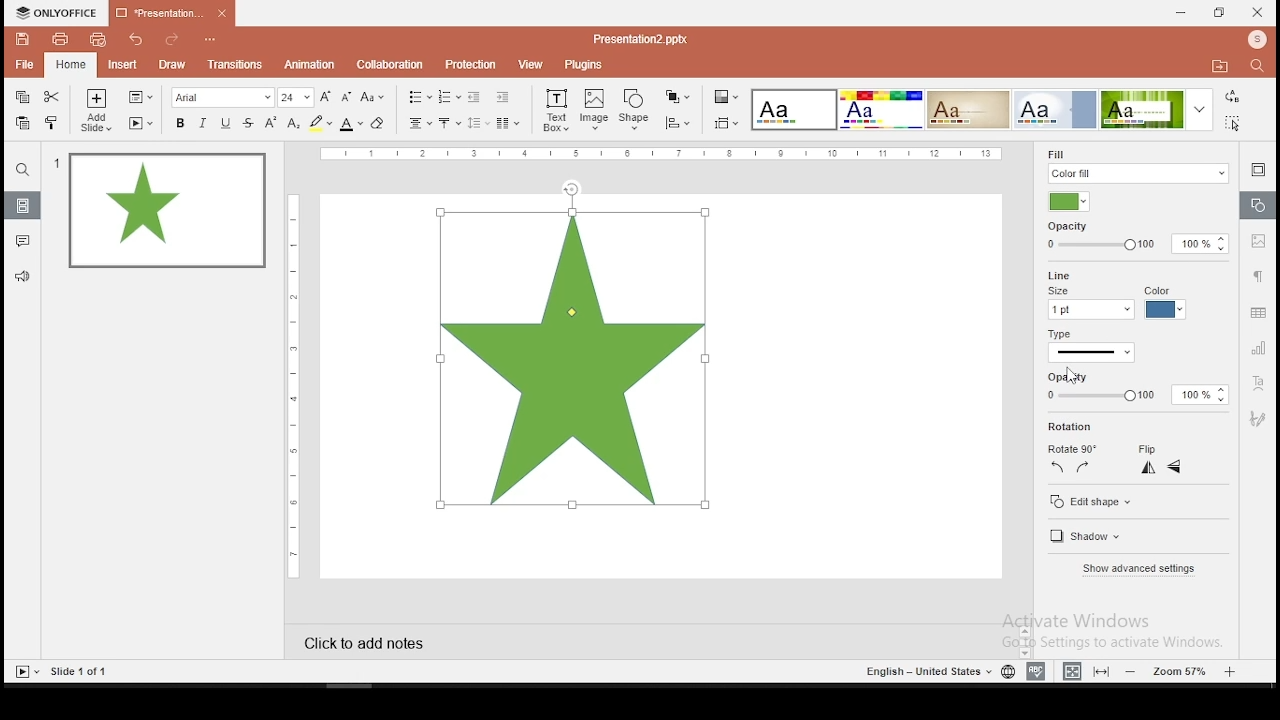 The height and width of the screenshot is (720, 1280). I want to click on flip vertical, so click(1175, 467).